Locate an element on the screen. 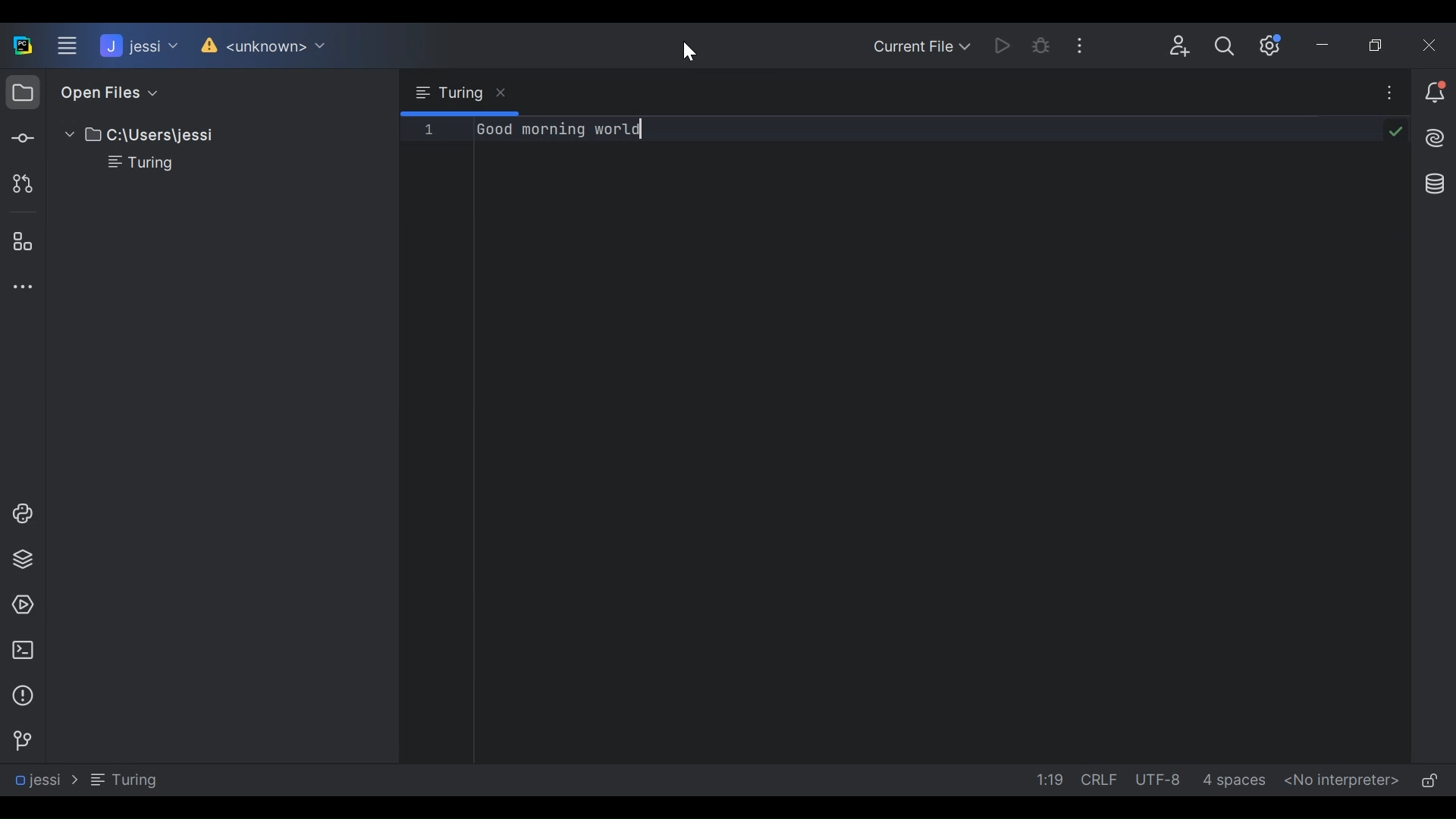 Image resolution: width=1456 pixels, height=819 pixels. Indent is located at coordinates (1233, 780).